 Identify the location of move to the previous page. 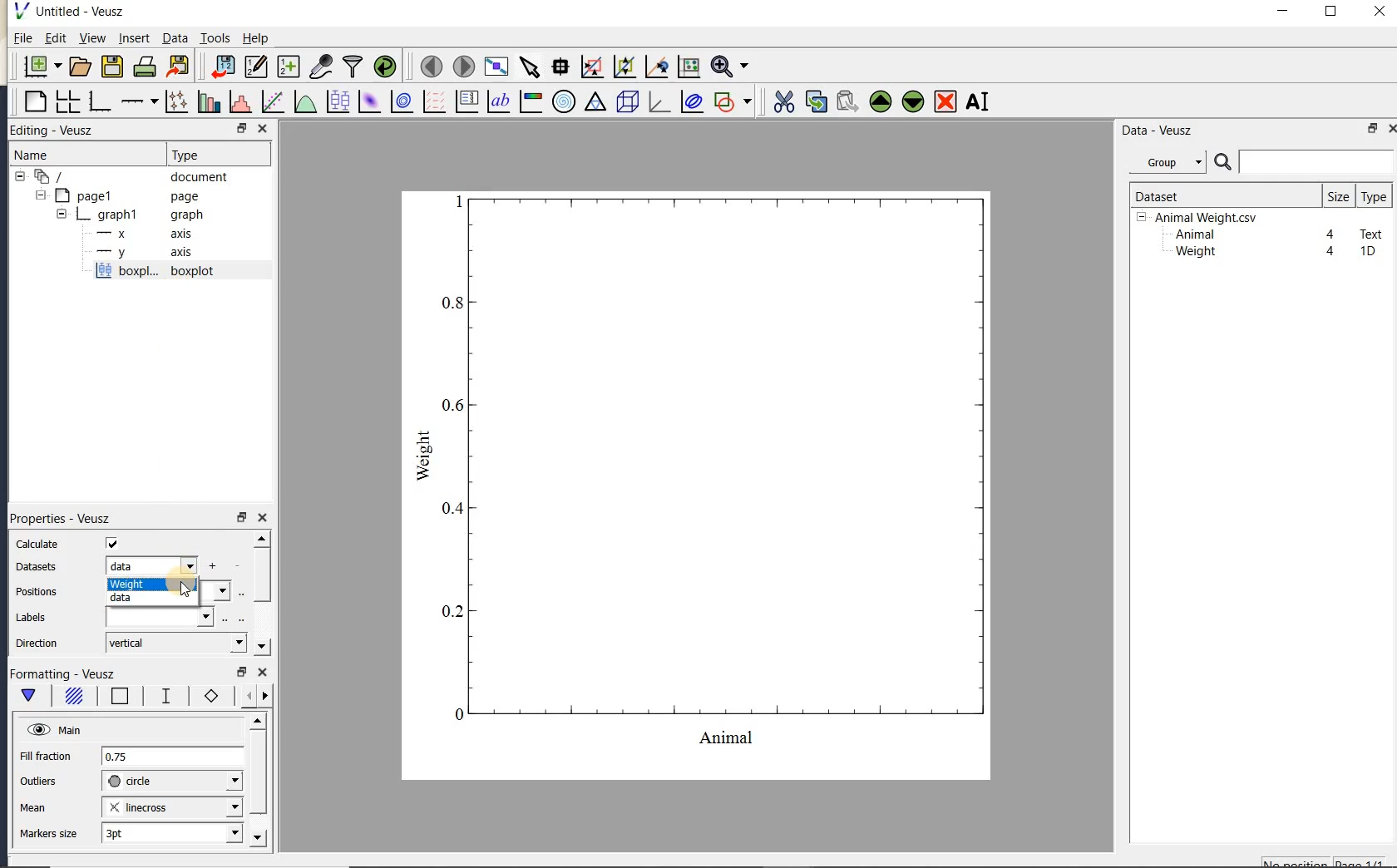
(428, 65).